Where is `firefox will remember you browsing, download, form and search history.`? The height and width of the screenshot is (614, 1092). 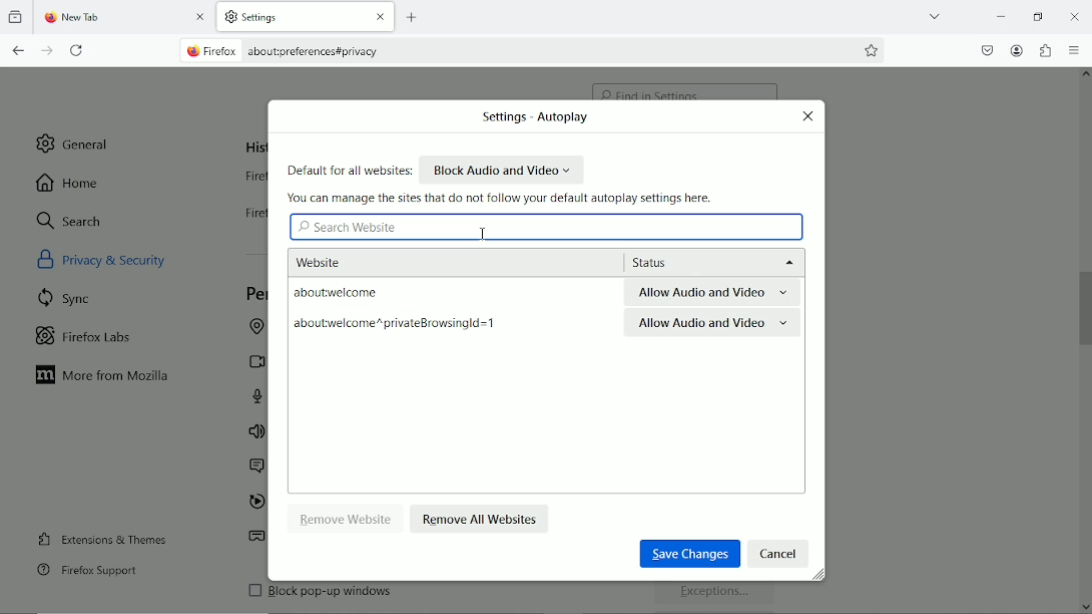 firefox will remember you browsing, download, form and search history. is located at coordinates (247, 218).